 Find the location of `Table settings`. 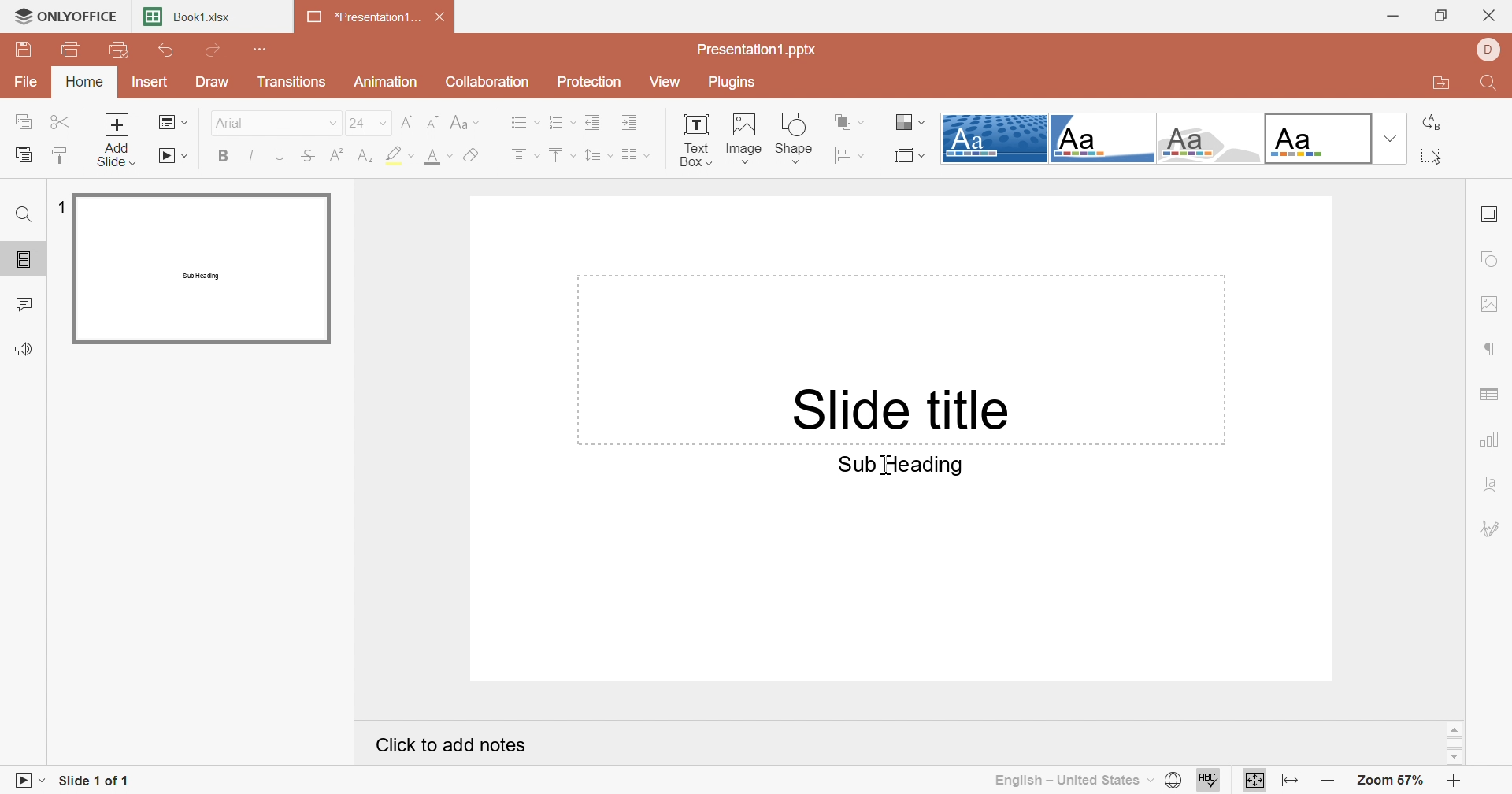

Table settings is located at coordinates (1491, 394).